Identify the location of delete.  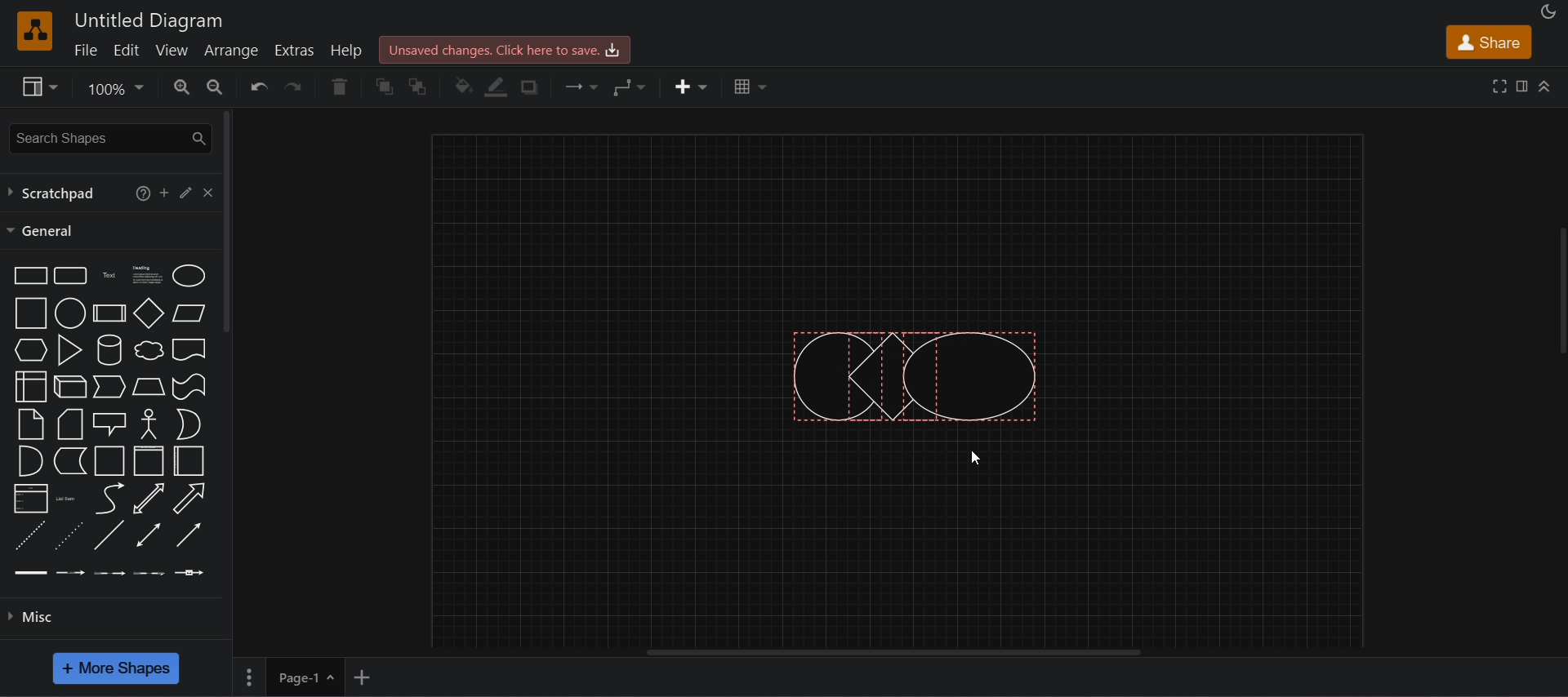
(339, 87).